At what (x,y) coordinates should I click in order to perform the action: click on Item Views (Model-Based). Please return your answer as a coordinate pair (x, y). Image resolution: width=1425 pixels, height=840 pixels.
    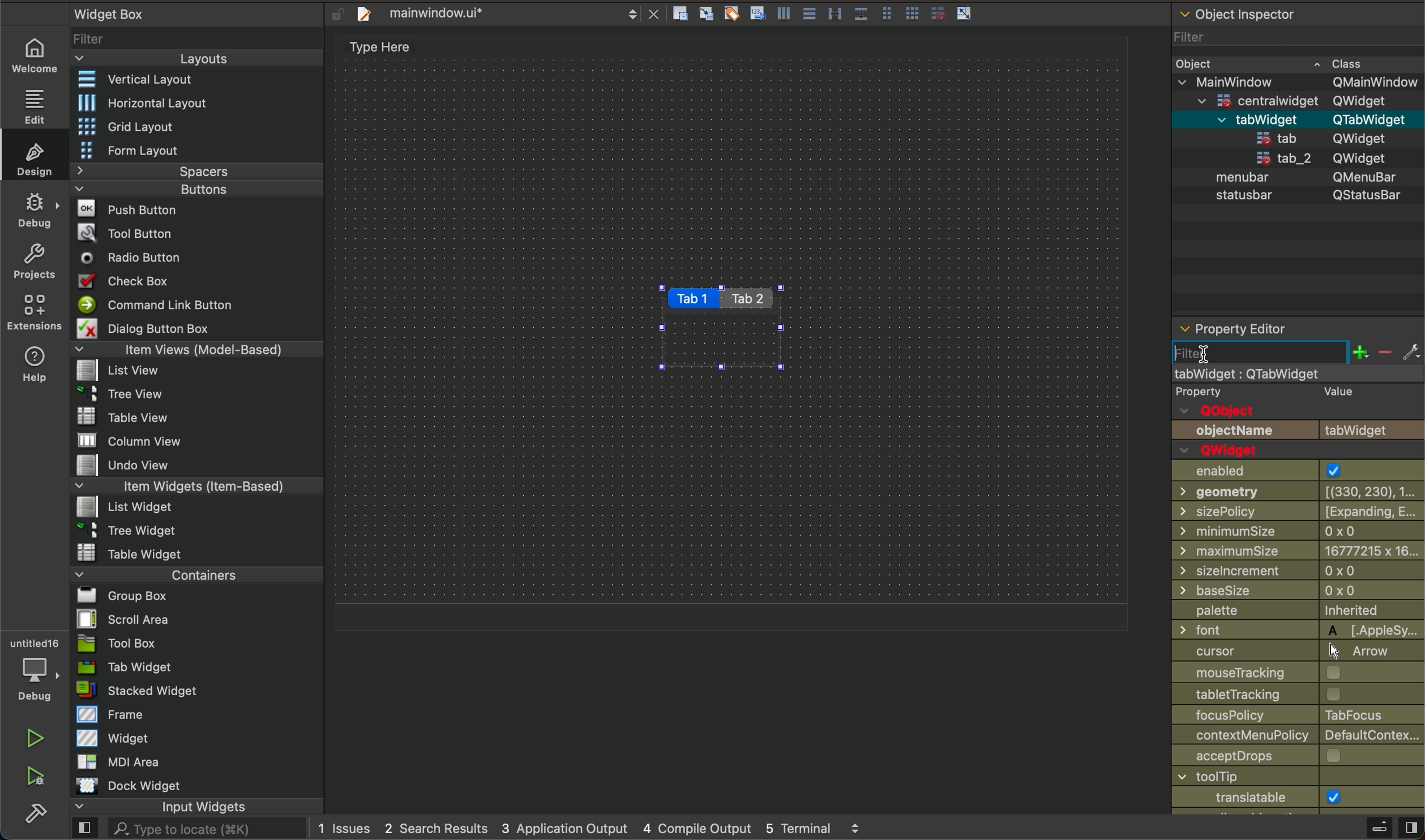
    Looking at the image, I should click on (198, 350).